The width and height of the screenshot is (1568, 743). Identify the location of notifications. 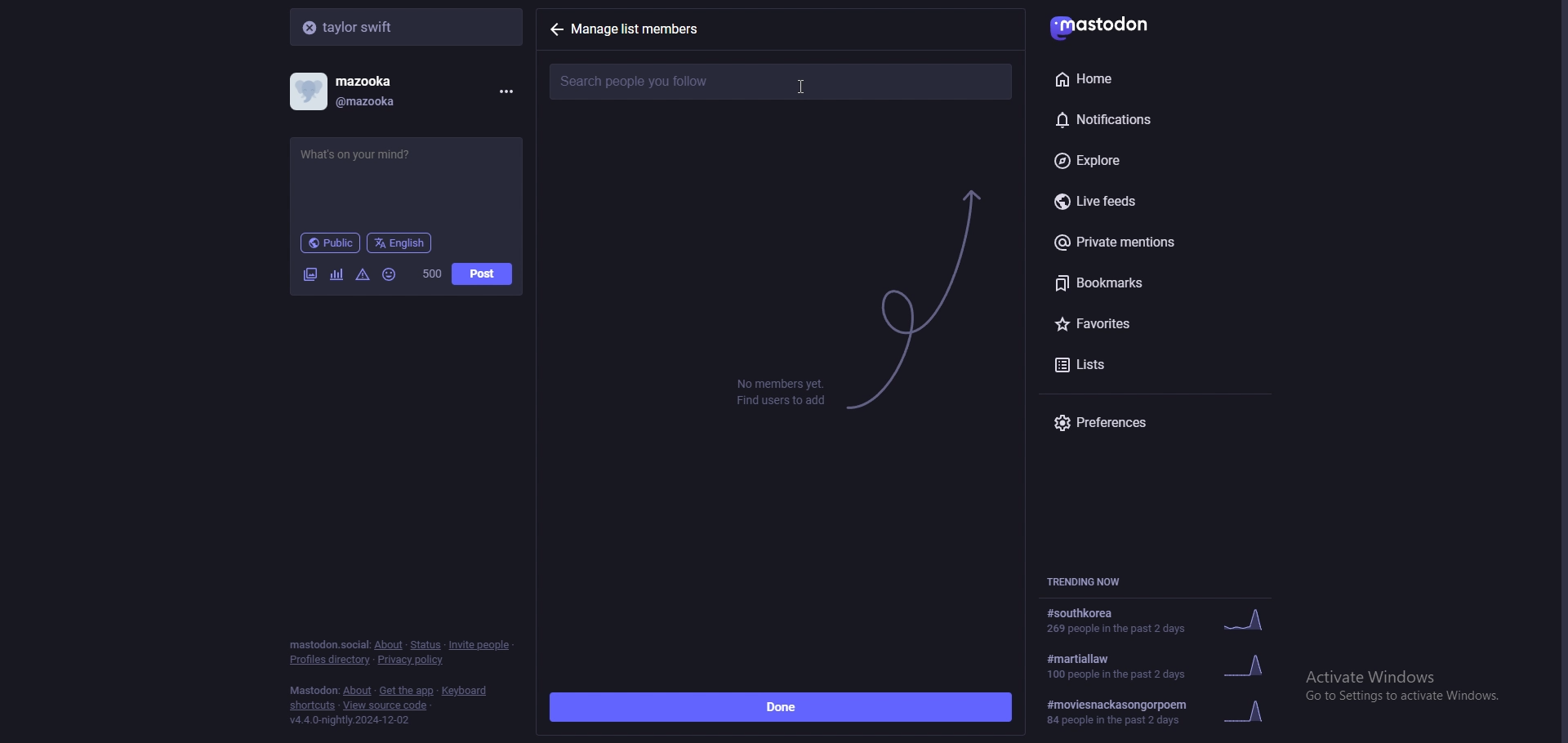
(1138, 117).